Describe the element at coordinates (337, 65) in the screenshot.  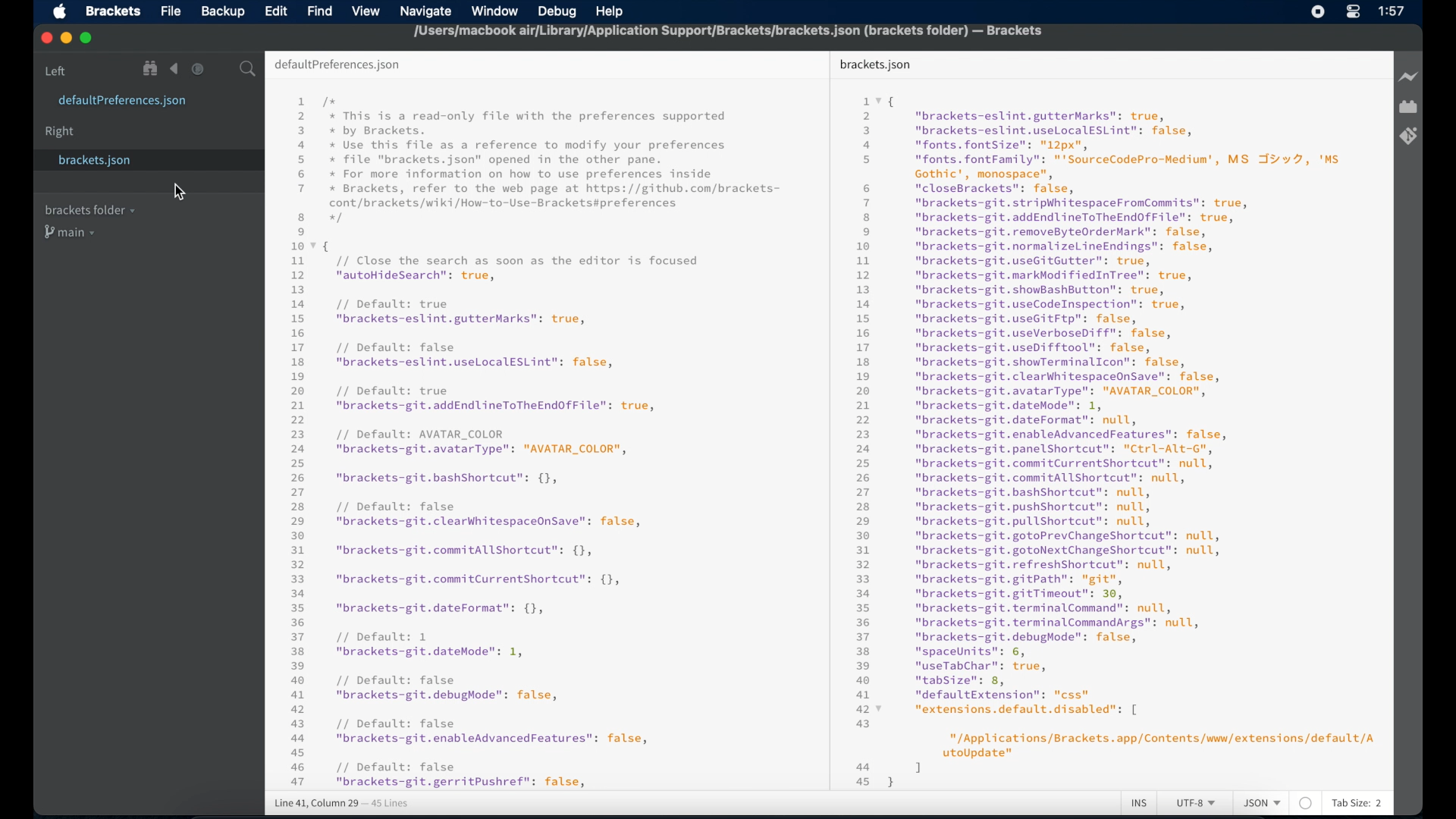
I see `default preferences.json` at that location.